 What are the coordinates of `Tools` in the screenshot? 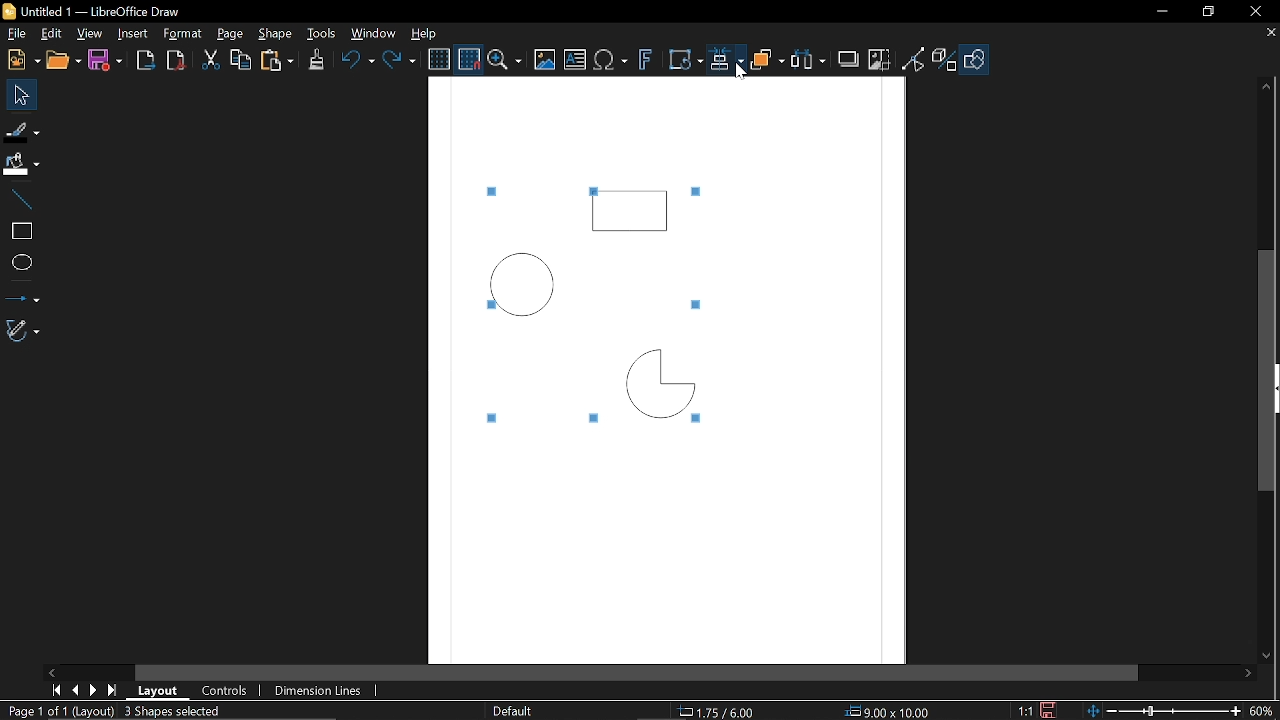 It's located at (322, 34).